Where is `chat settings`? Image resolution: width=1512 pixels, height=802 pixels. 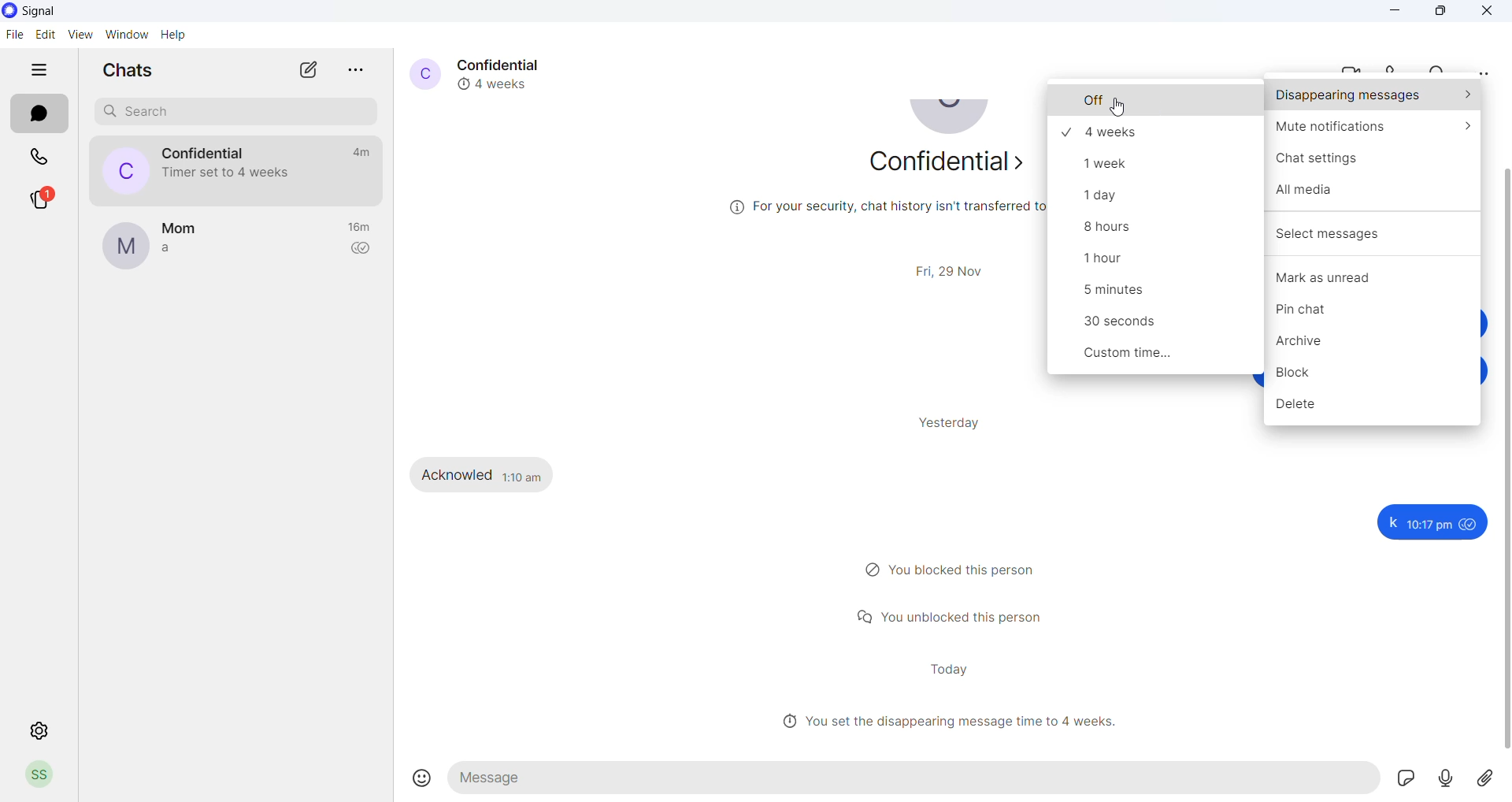
chat settings is located at coordinates (1374, 164).